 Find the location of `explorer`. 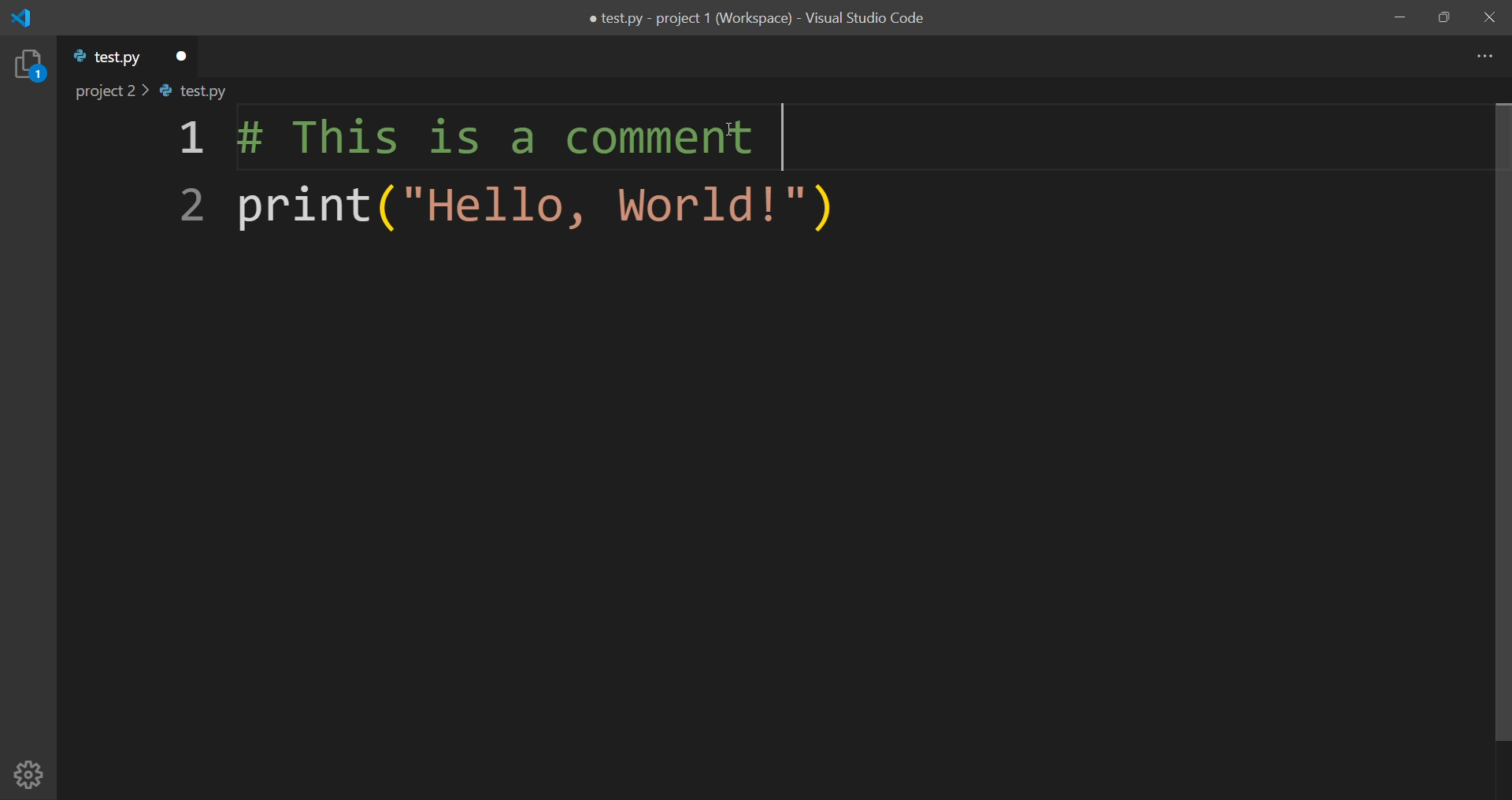

explorer is located at coordinates (28, 66).